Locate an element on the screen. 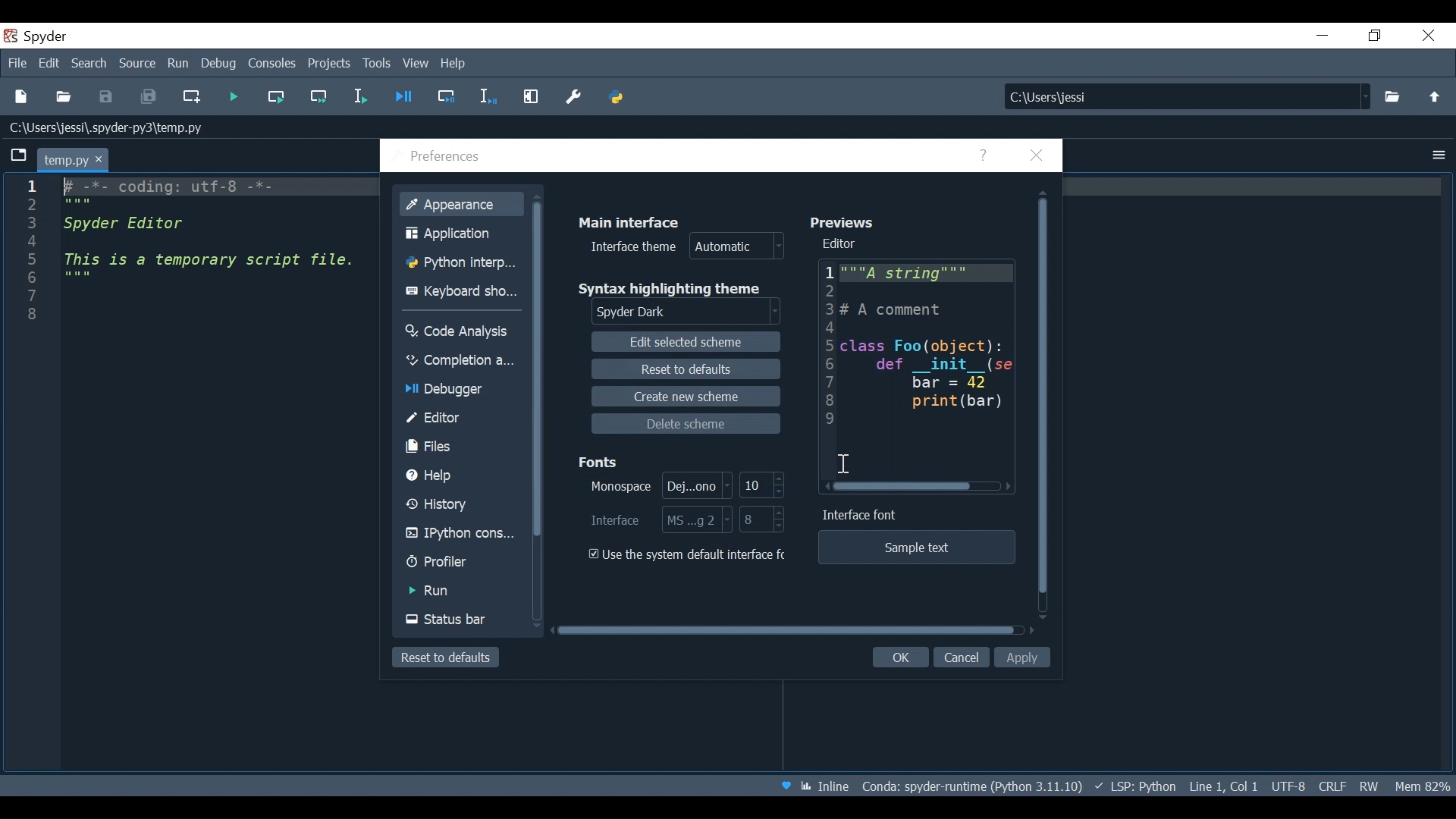 This screenshot has width=1456, height=819. Consoles is located at coordinates (271, 64).